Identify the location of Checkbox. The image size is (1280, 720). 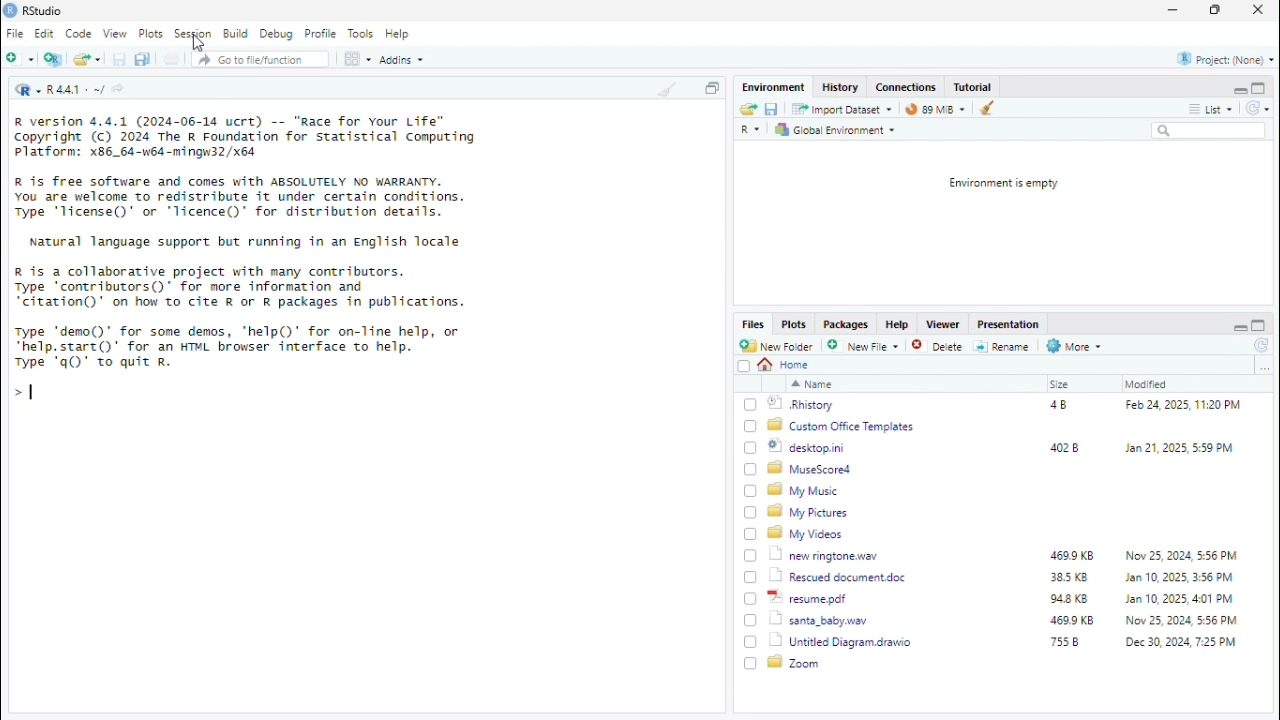
(750, 513).